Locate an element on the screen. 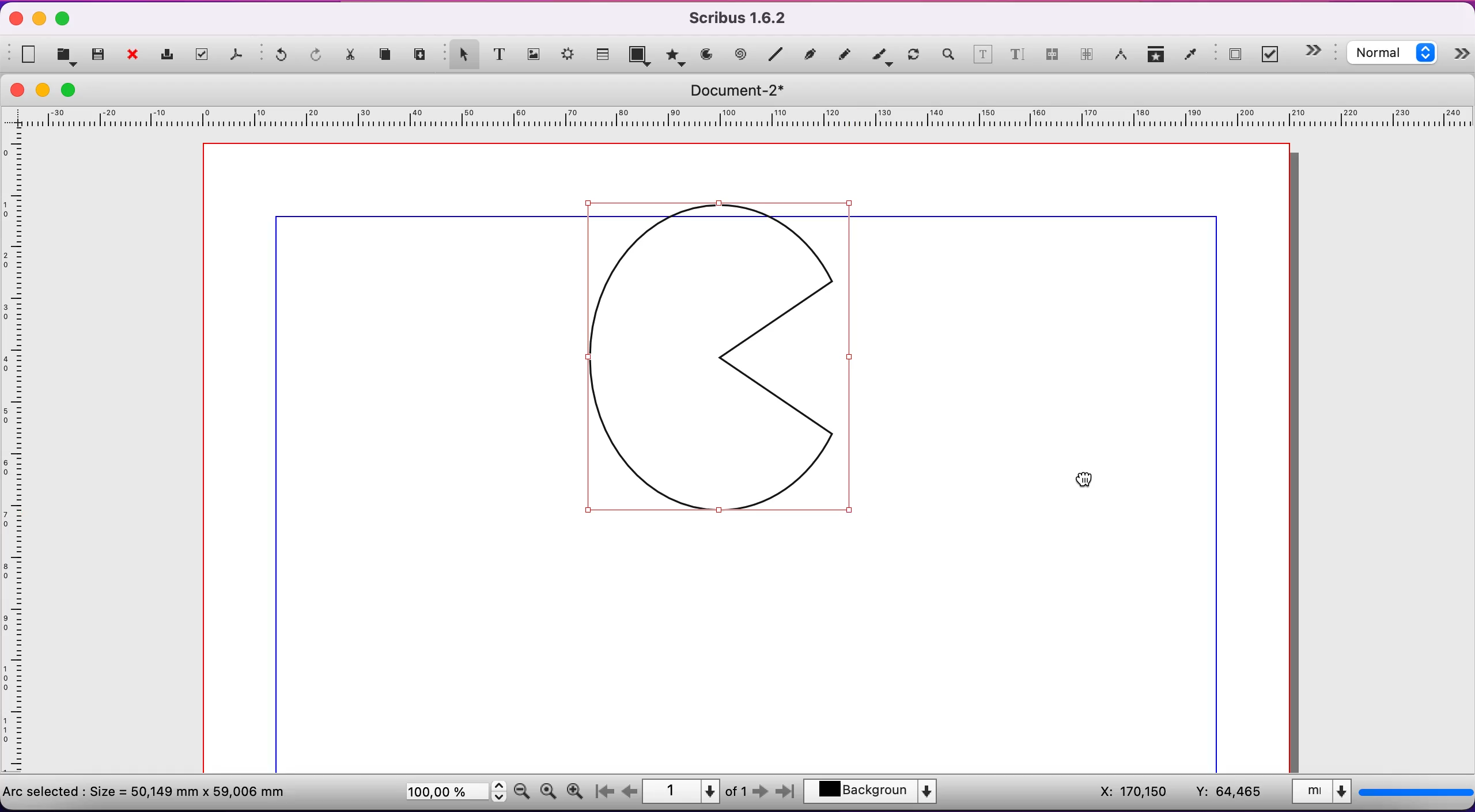 The image size is (1475, 812). redo is located at coordinates (317, 56).